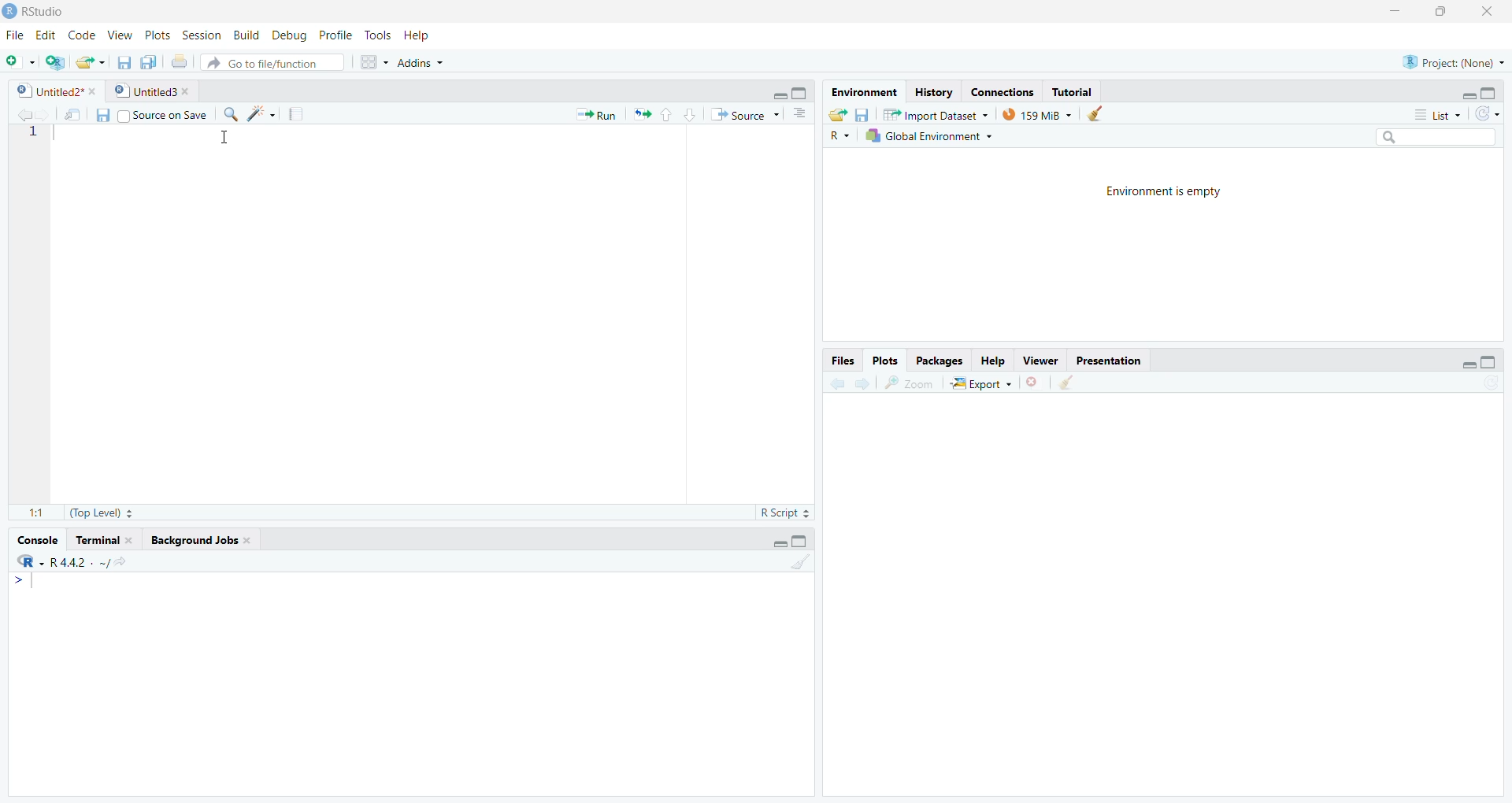  I want to click on Minimize, so click(778, 96).